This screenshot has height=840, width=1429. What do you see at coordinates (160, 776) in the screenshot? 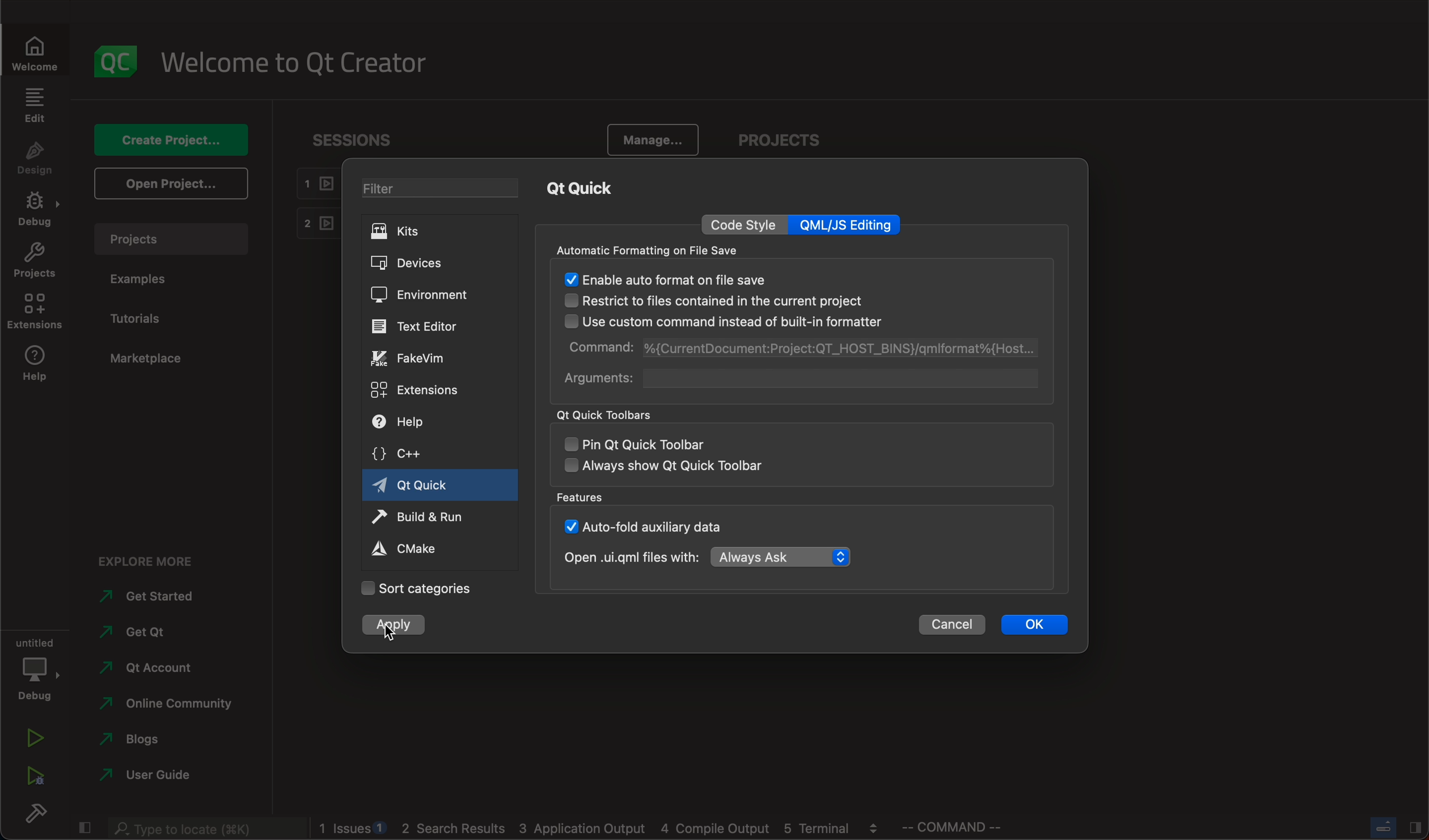
I see `guide` at bounding box center [160, 776].